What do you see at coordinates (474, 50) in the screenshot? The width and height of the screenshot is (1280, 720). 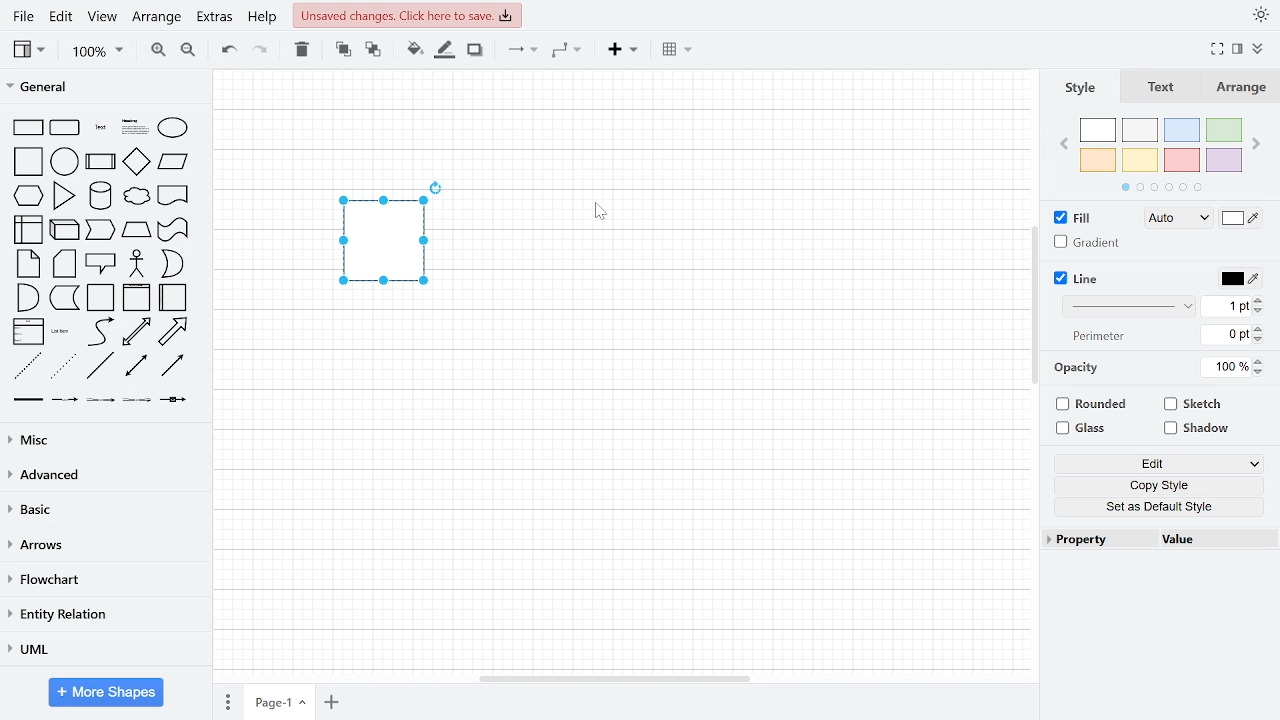 I see `shadow` at bounding box center [474, 50].